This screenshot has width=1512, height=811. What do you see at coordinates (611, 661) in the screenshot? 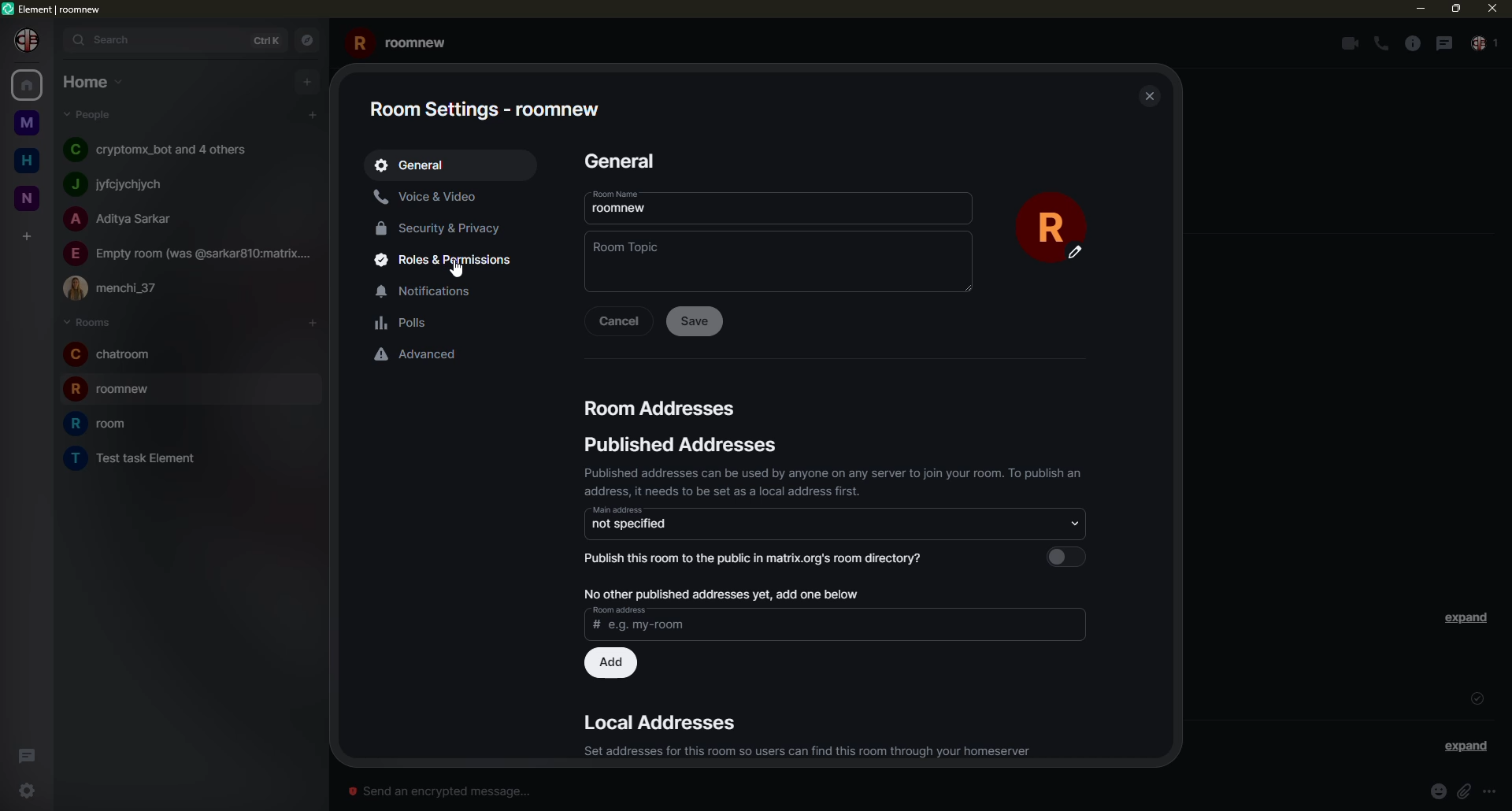
I see `add` at bounding box center [611, 661].